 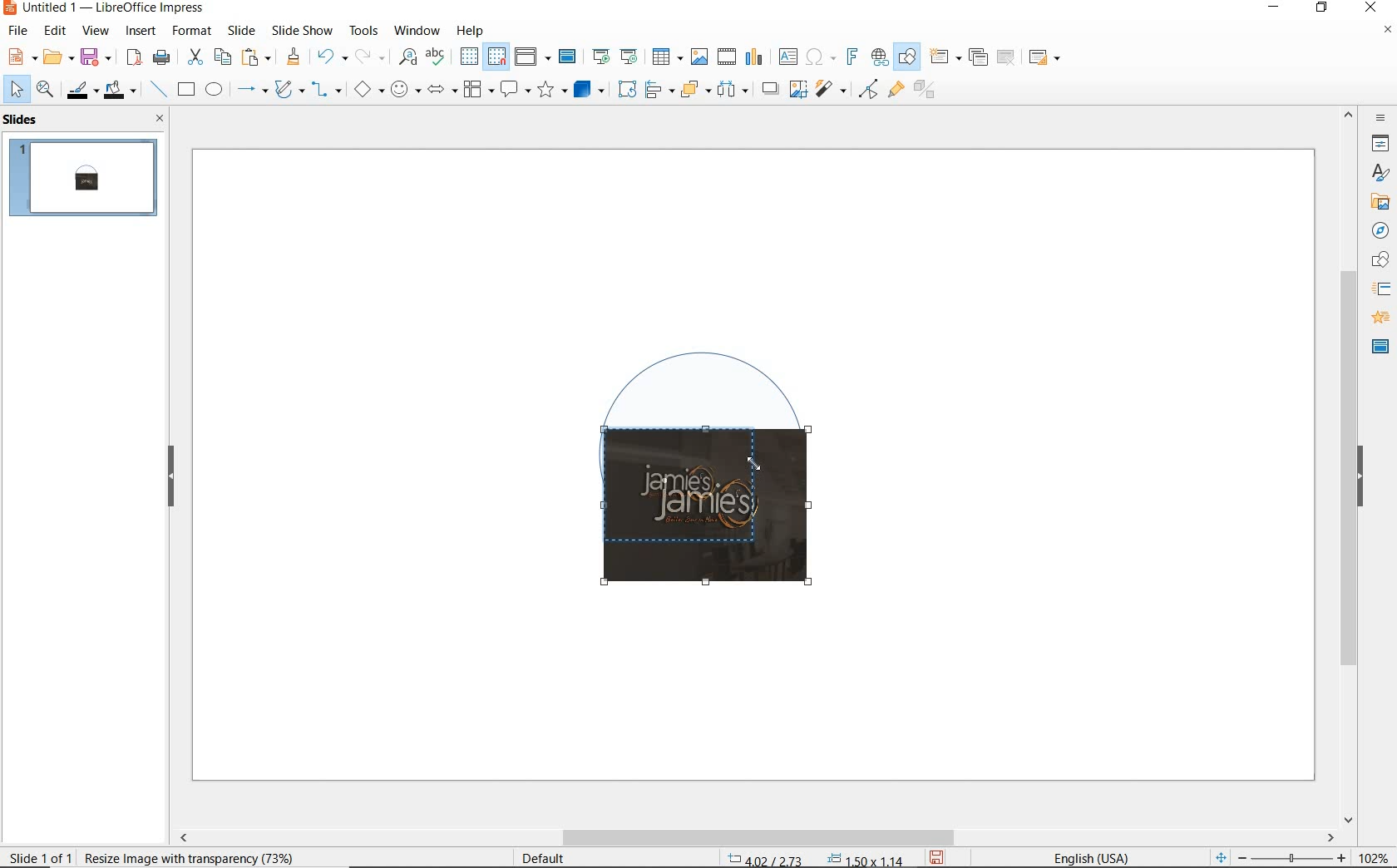 What do you see at coordinates (122, 91) in the screenshot?
I see `fill color` at bounding box center [122, 91].